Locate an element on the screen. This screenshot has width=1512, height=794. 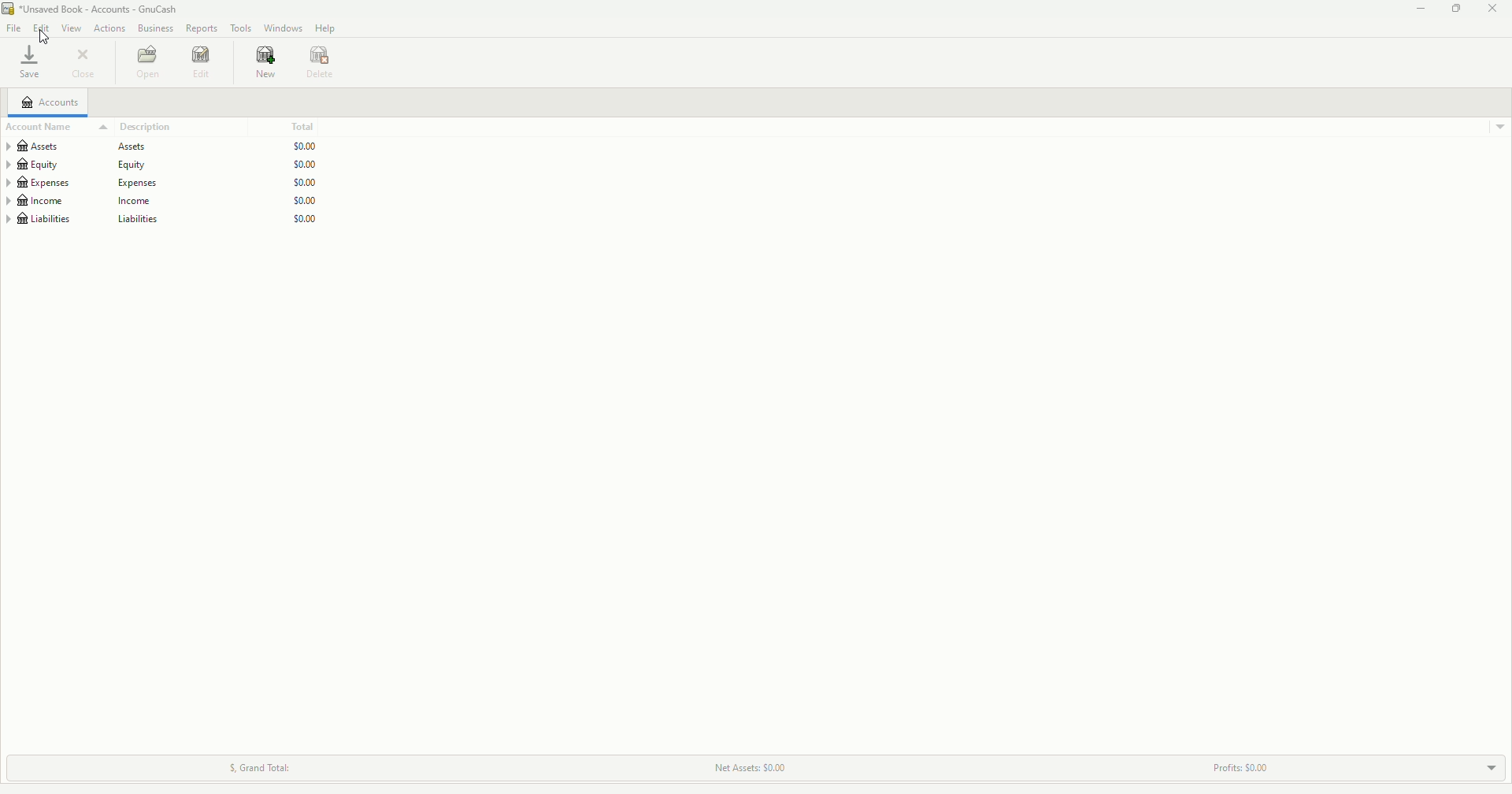
Edit is located at coordinates (202, 63).